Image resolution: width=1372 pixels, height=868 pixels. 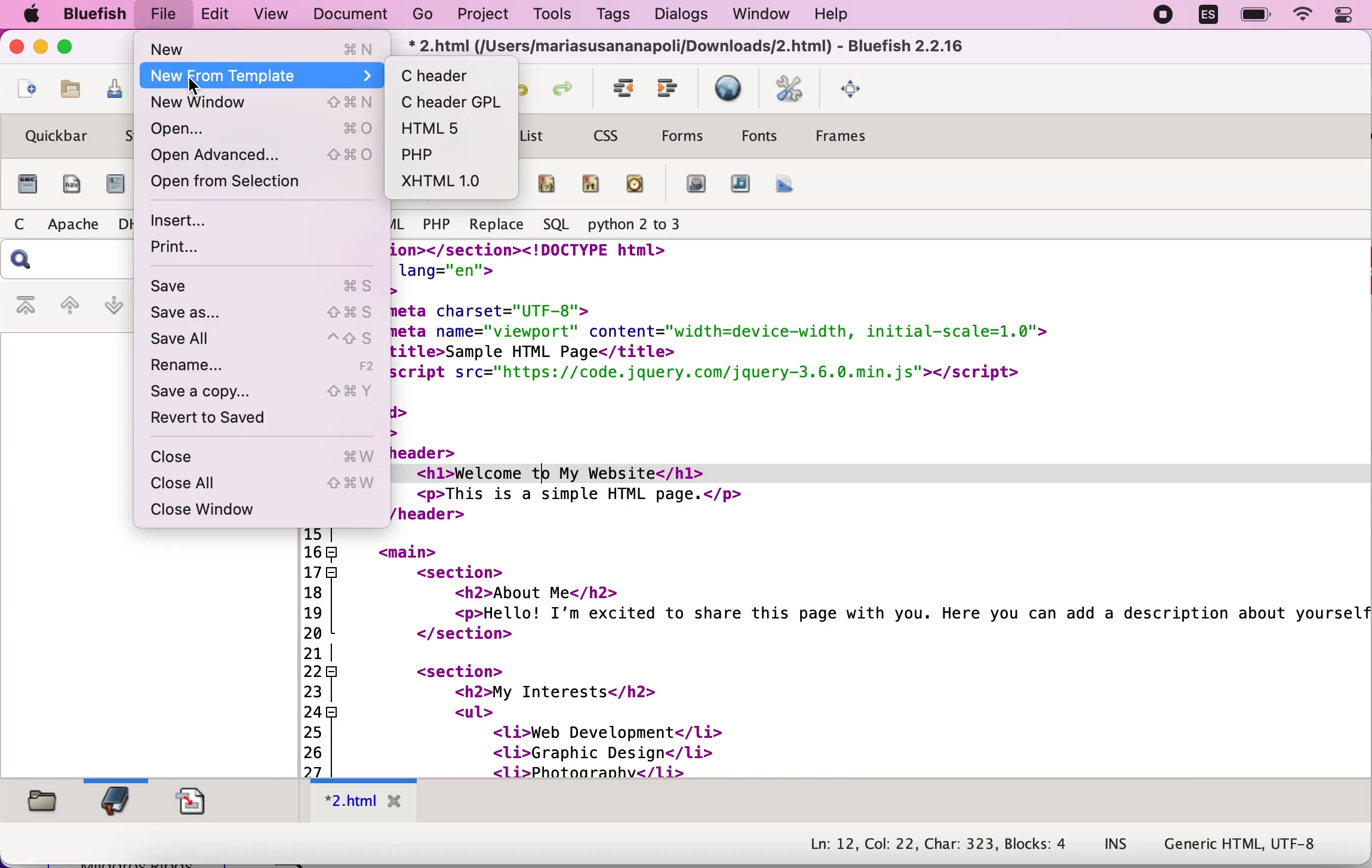 I want to click on rename, so click(x=271, y=367).